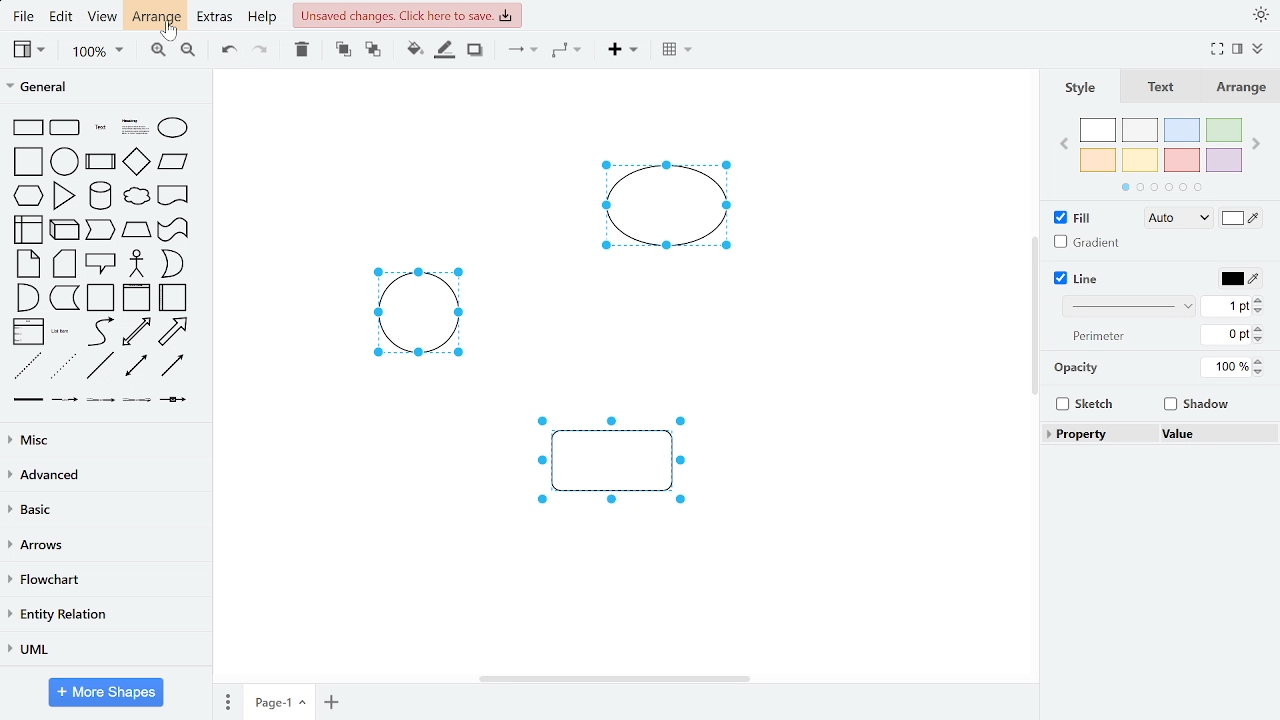 The width and height of the screenshot is (1280, 720). Describe the element at coordinates (29, 194) in the screenshot. I see `hexagon` at that location.